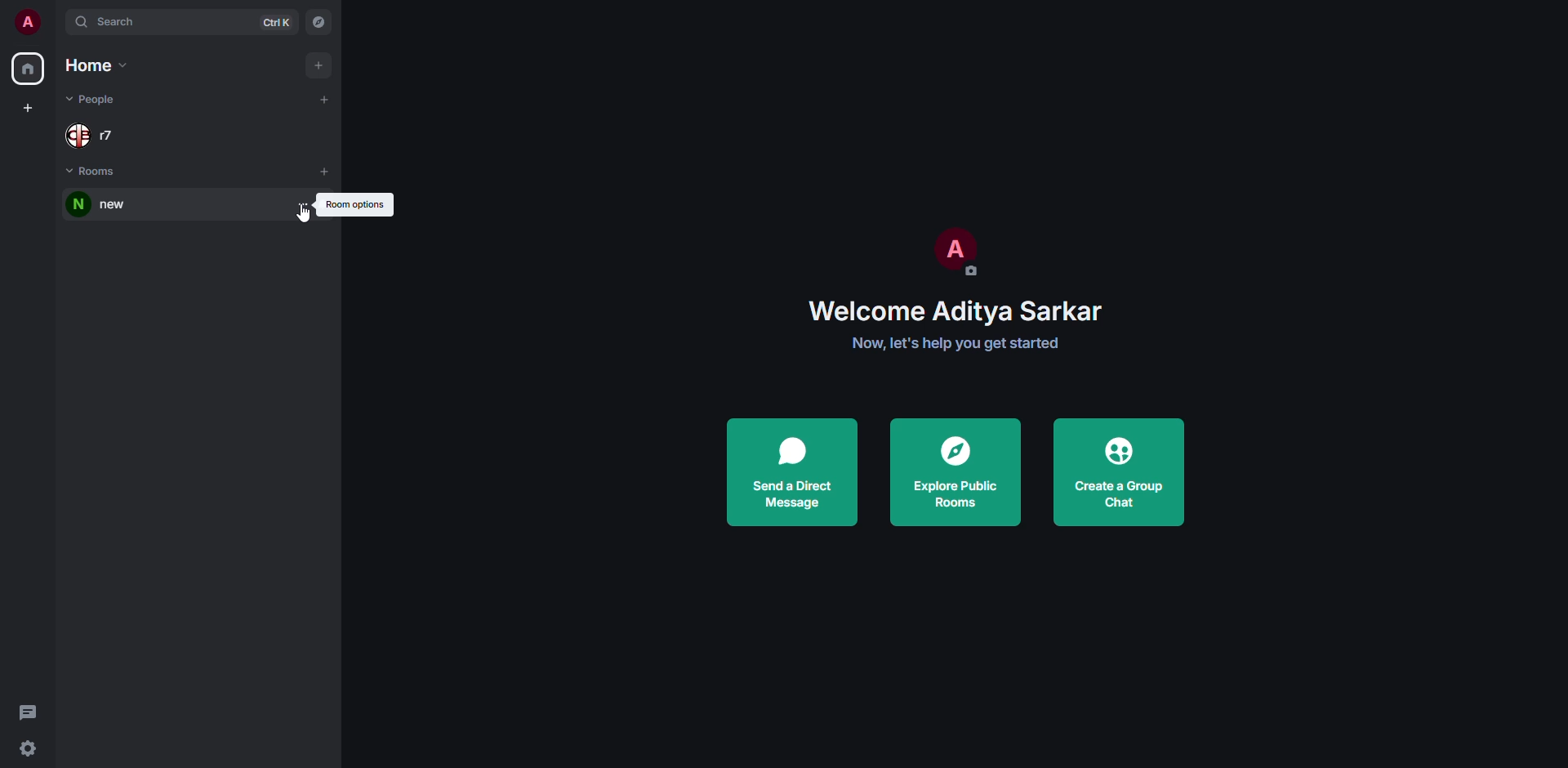 The image size is (1568, 768). What do you see at coordinates (957, 345) in the screenshot?
I see `Now, let's help you get started` at bounding box center [957, 345].